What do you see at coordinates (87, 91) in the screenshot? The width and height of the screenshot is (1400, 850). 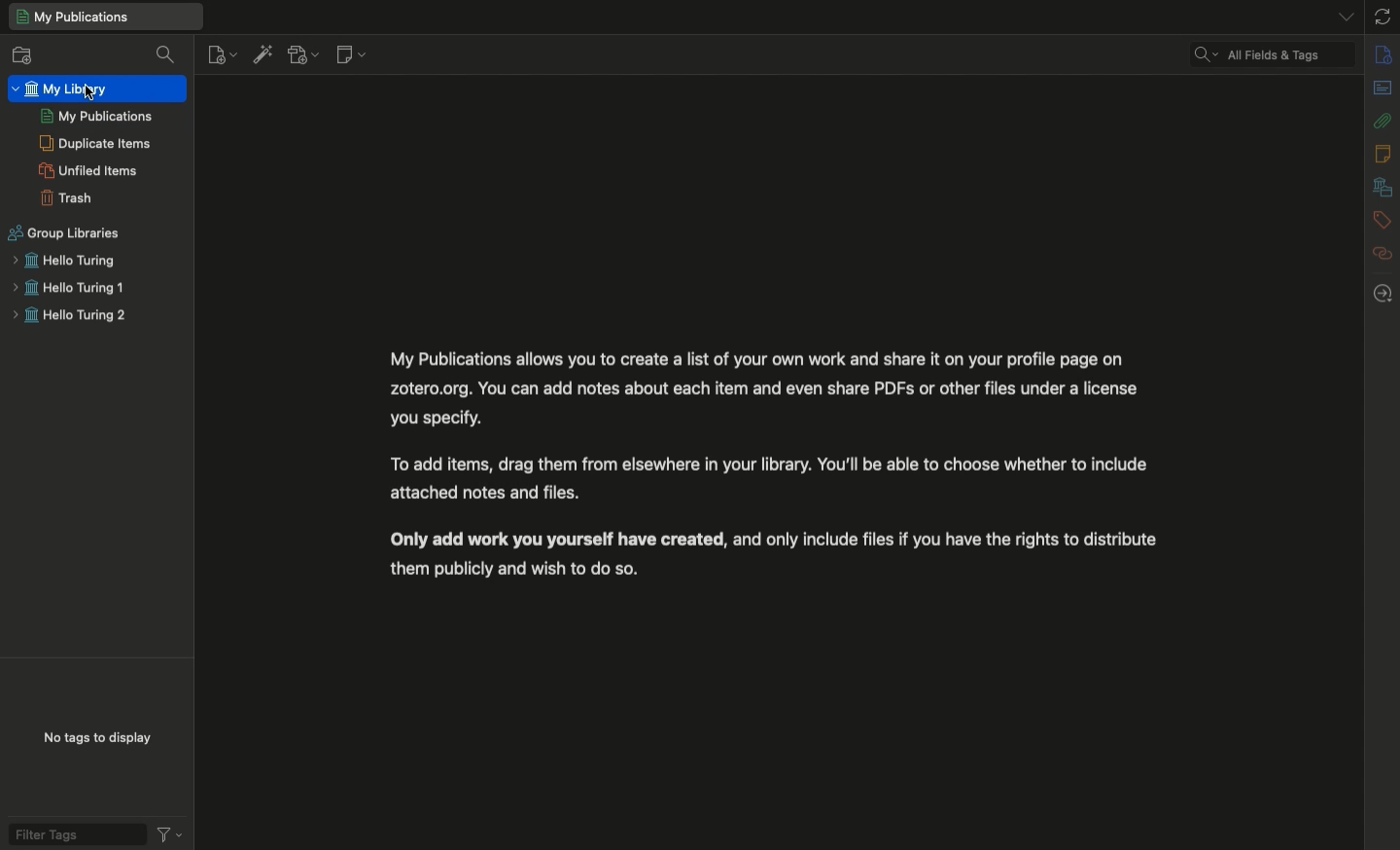 I see `cursor` at bounding box center [87, 91].